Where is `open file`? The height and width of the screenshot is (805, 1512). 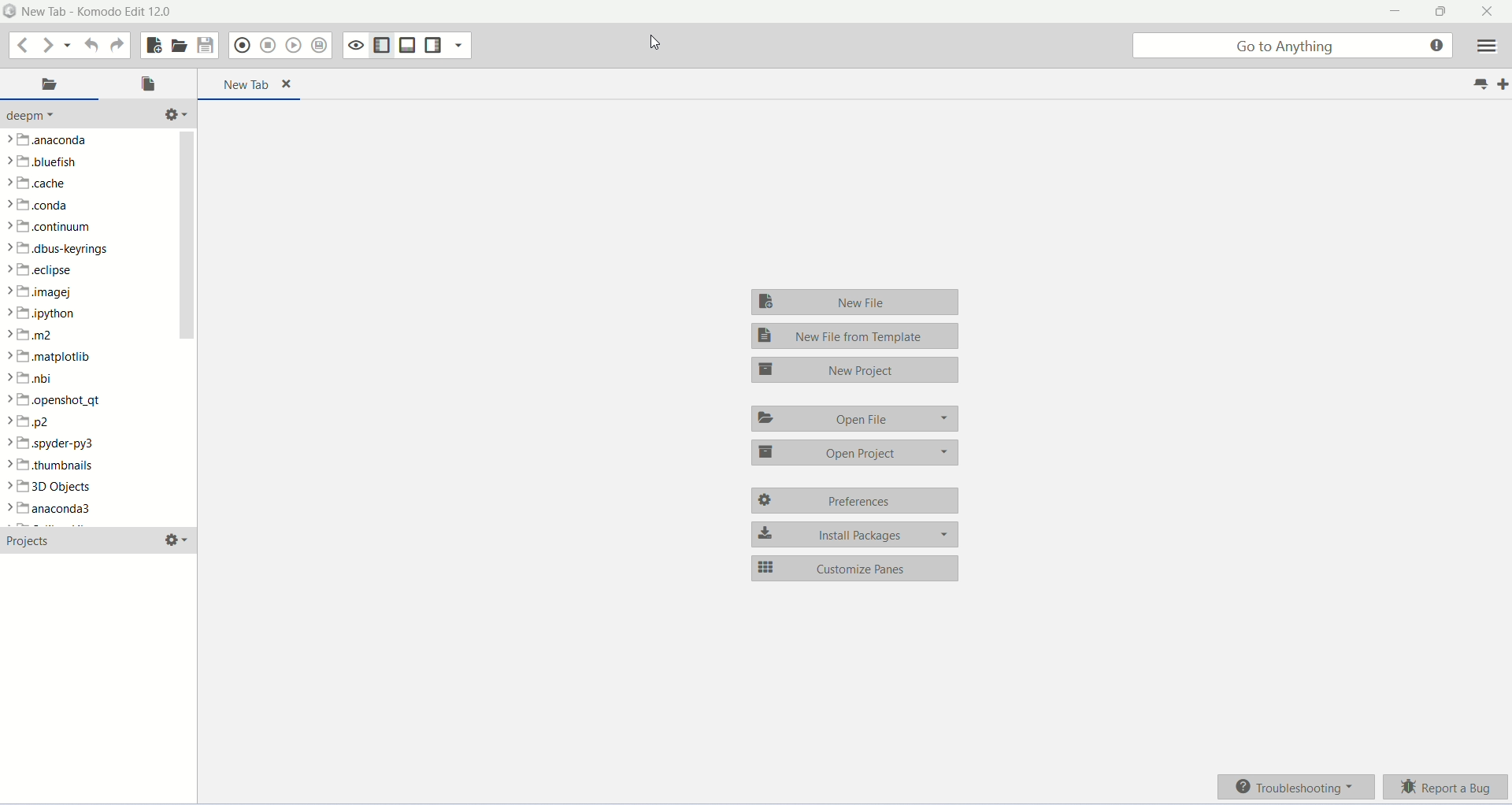 open file is located at coordinates (180, 45).